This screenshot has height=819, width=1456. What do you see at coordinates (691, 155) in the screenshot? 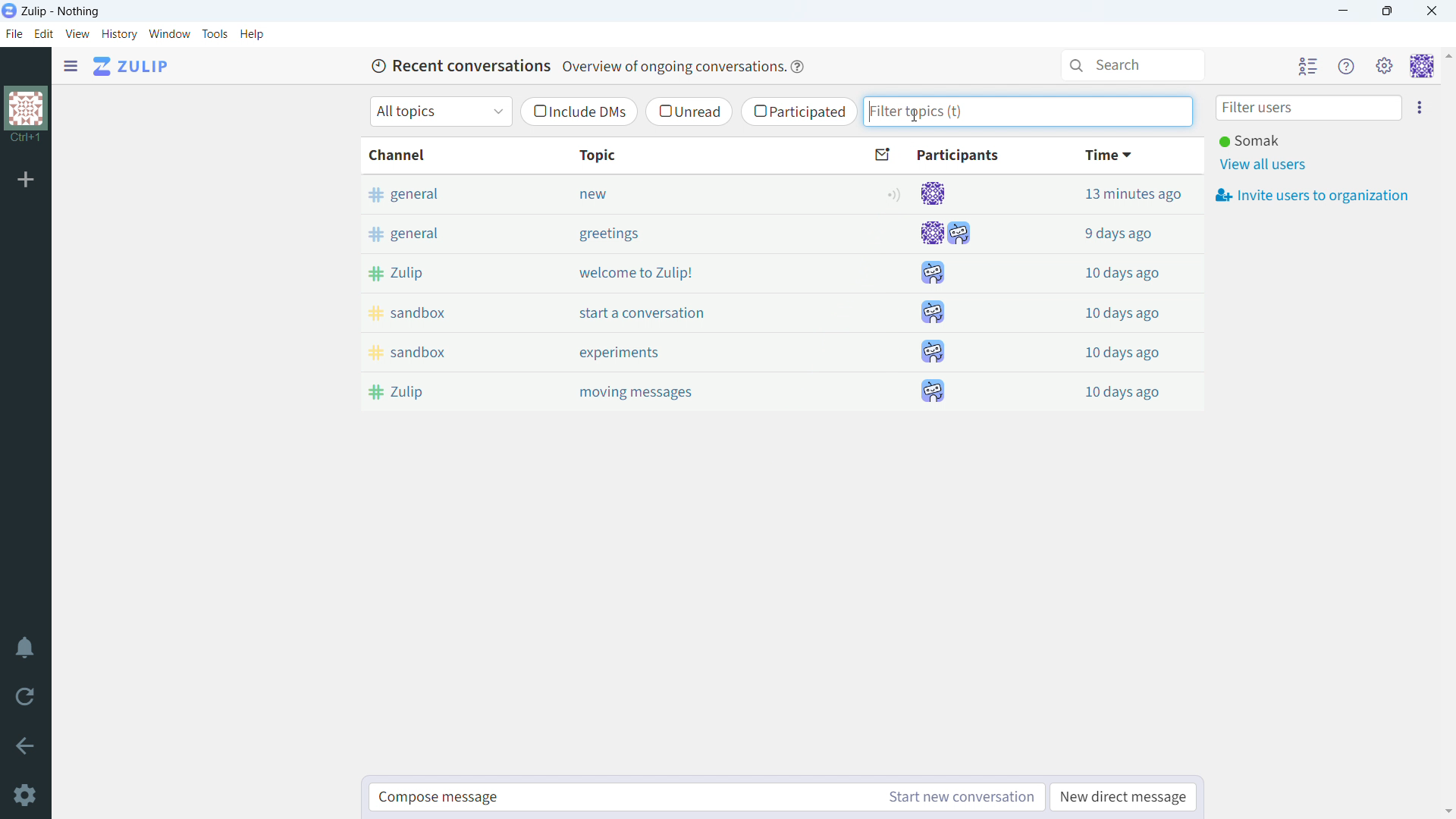
I see `topic` at bounding box center [691, 155].